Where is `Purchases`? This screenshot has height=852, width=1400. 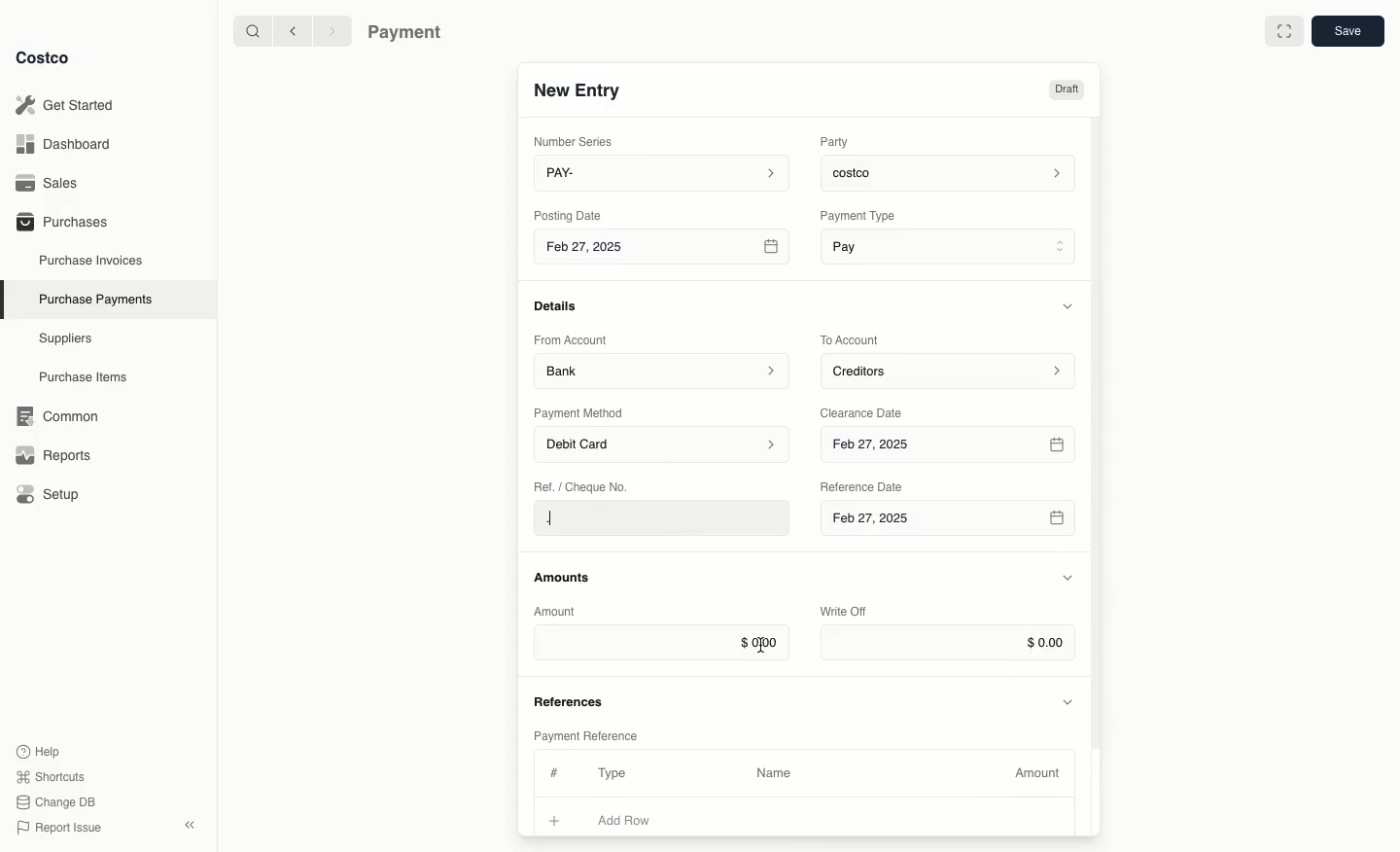 Purchases is located at coordinates (61, 221).